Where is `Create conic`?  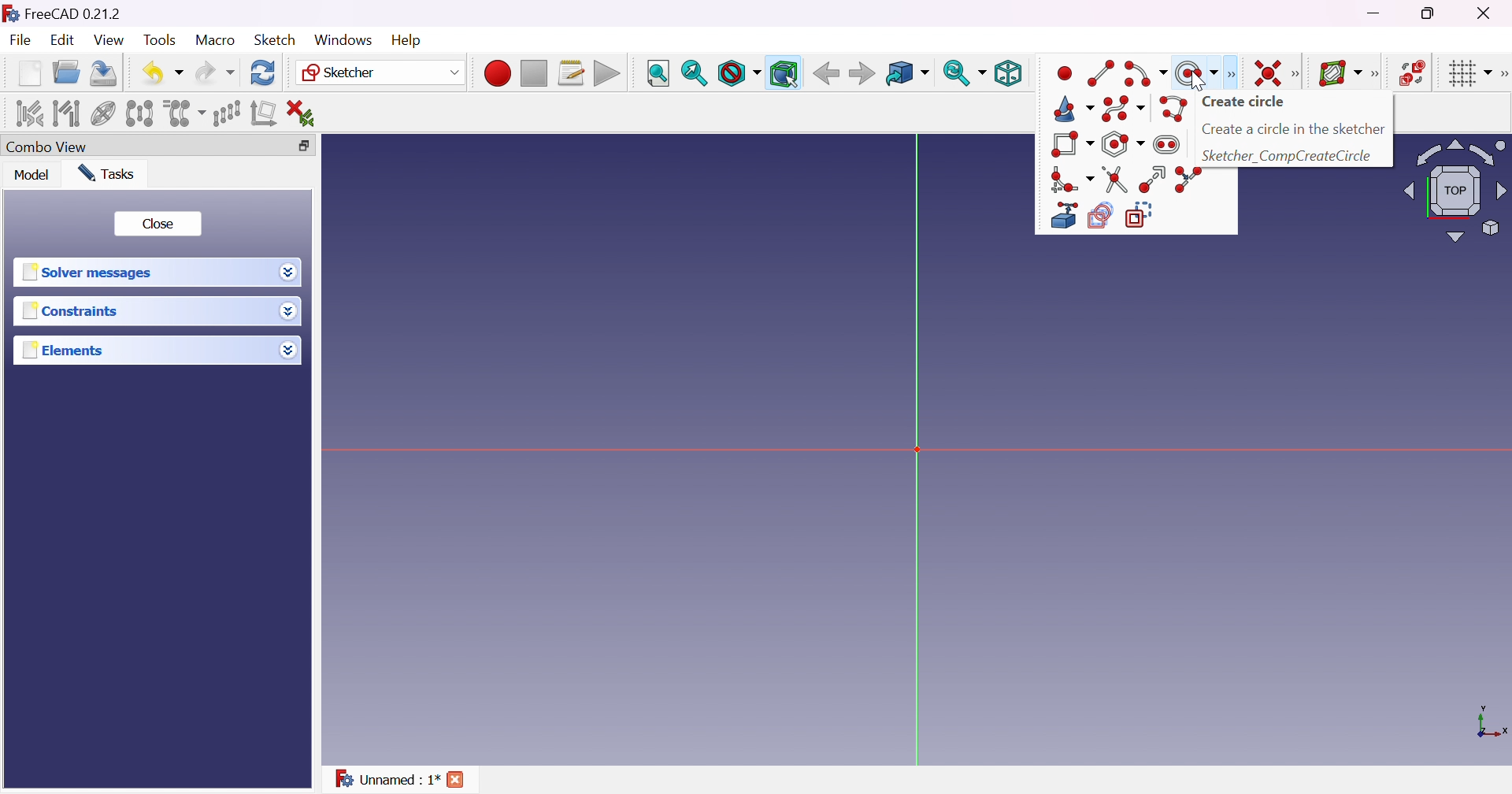
Create conic is located at coordinates (1073, 109).